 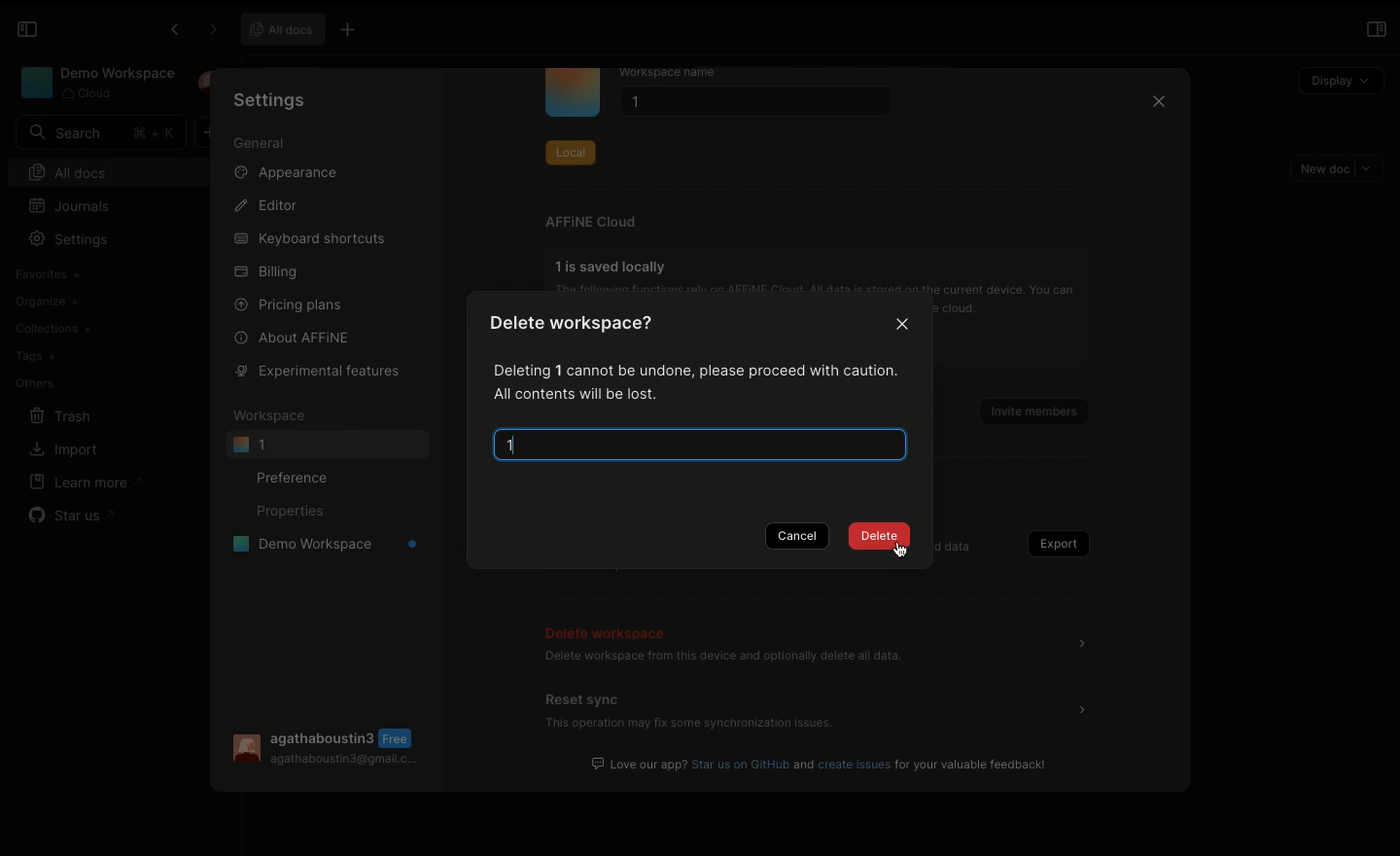 What do you see at coordinates (267, 272) in the screenshot?
I see `Billing` at bounding box center [267, 272].